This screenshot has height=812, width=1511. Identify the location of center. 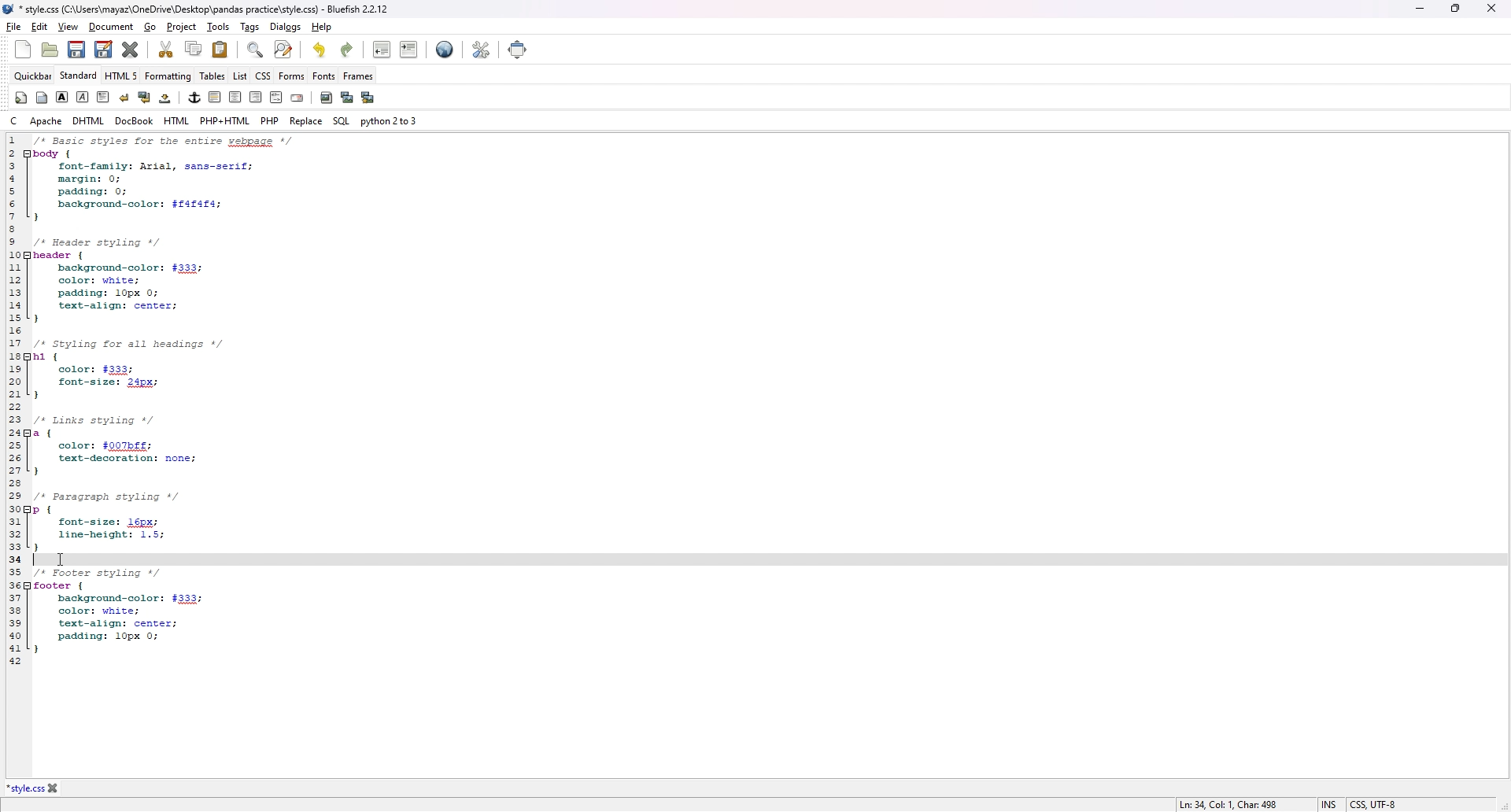
(235, 98).